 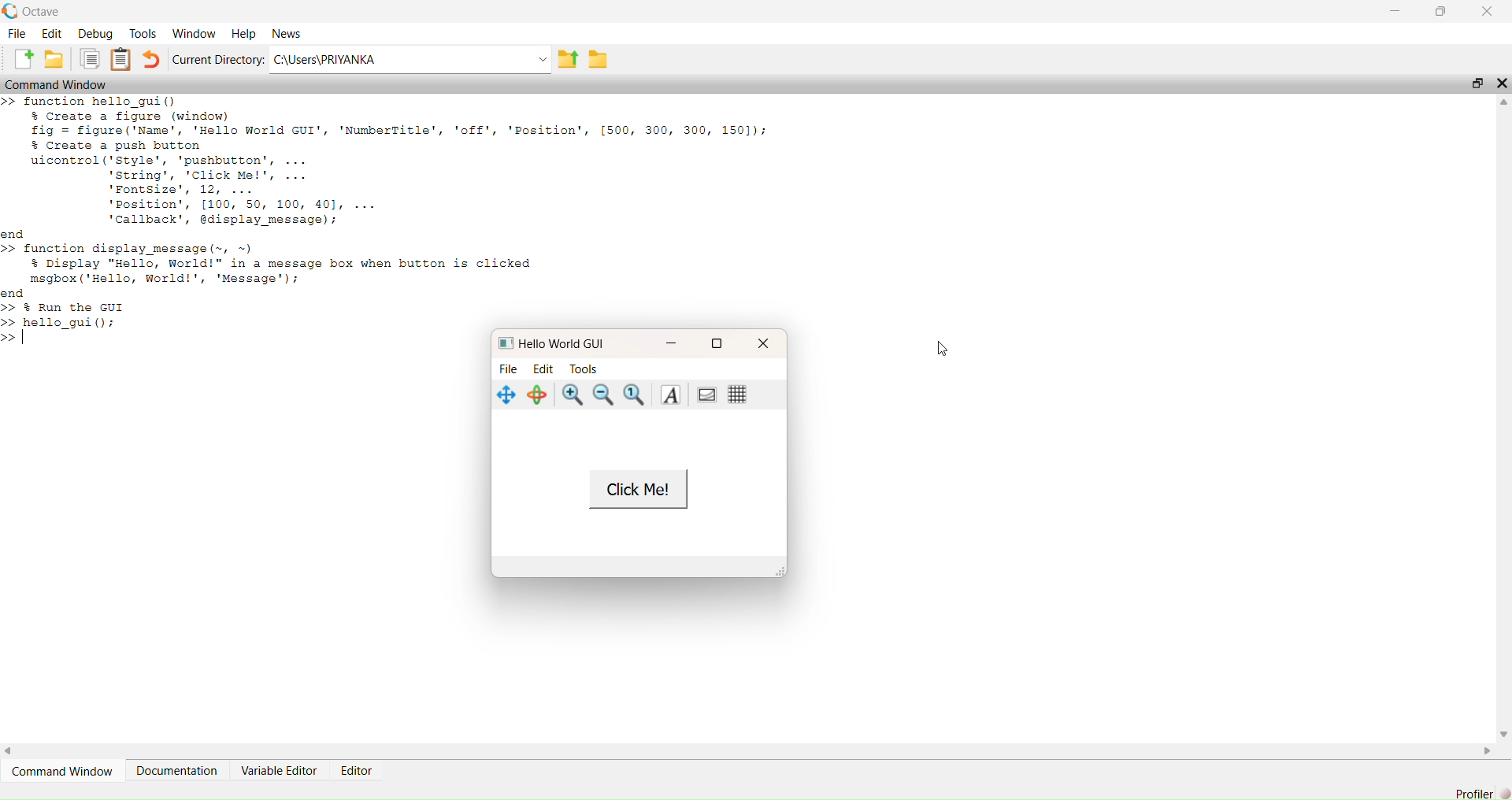 I want to click on add, so click(x=17, y=57).